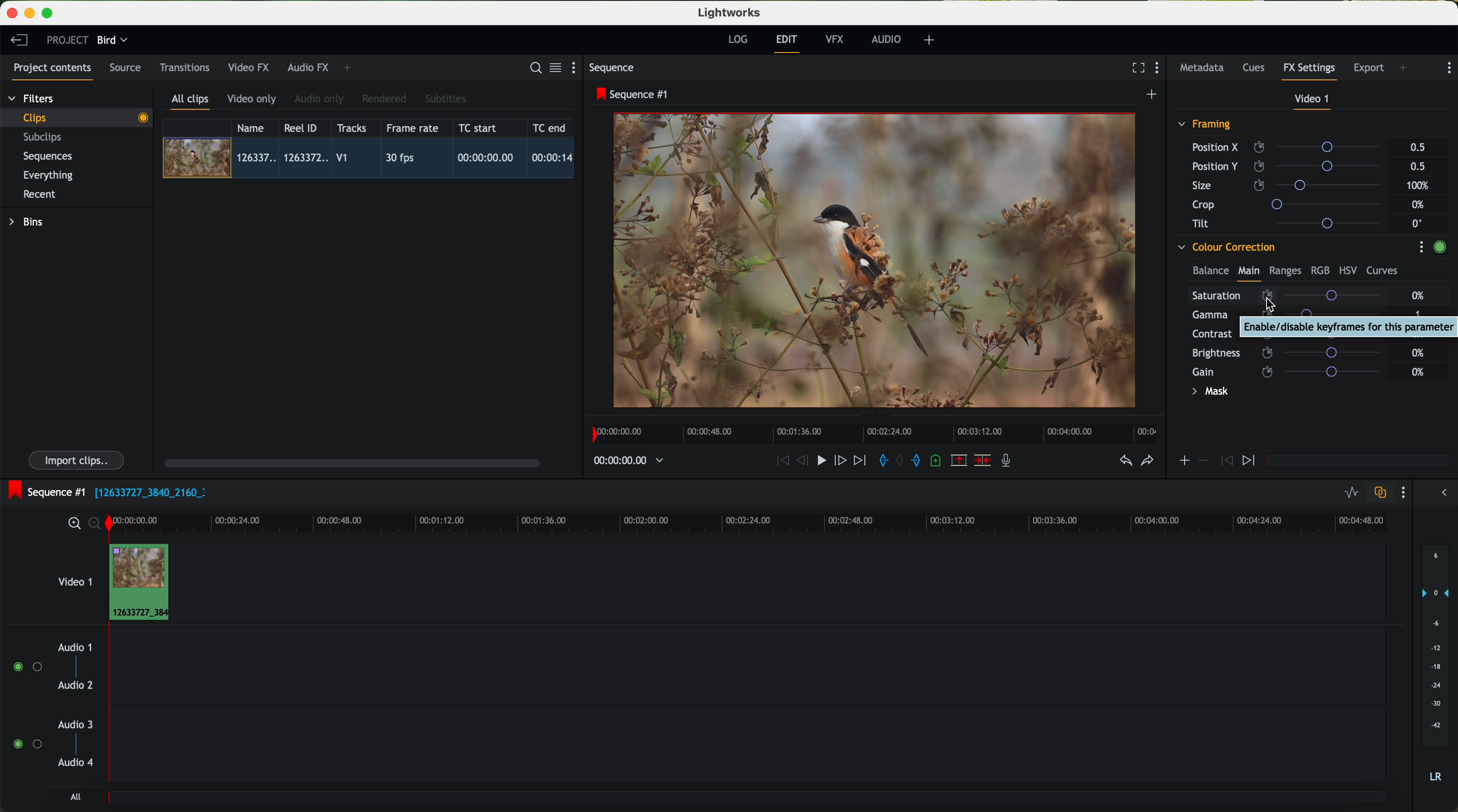 Image resolution: width=1458 pixels, height=812 pixels. What do you see at coordinates (44, 492) in the screenshot?
I see `sequence #1` at bounding box center [44, 492].